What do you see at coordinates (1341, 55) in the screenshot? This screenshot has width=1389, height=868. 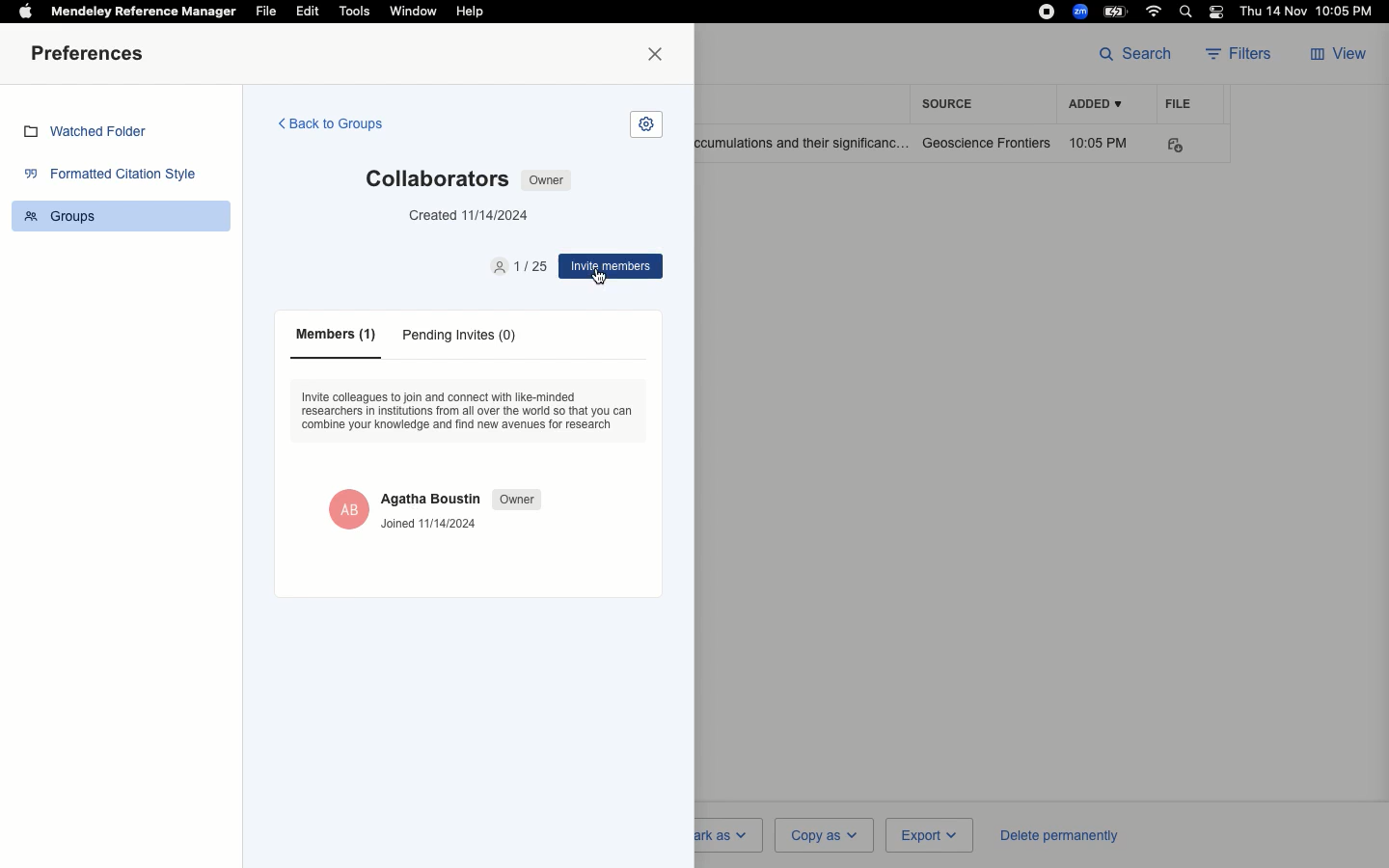 I see `View ` at bounding box center [1341, 55].